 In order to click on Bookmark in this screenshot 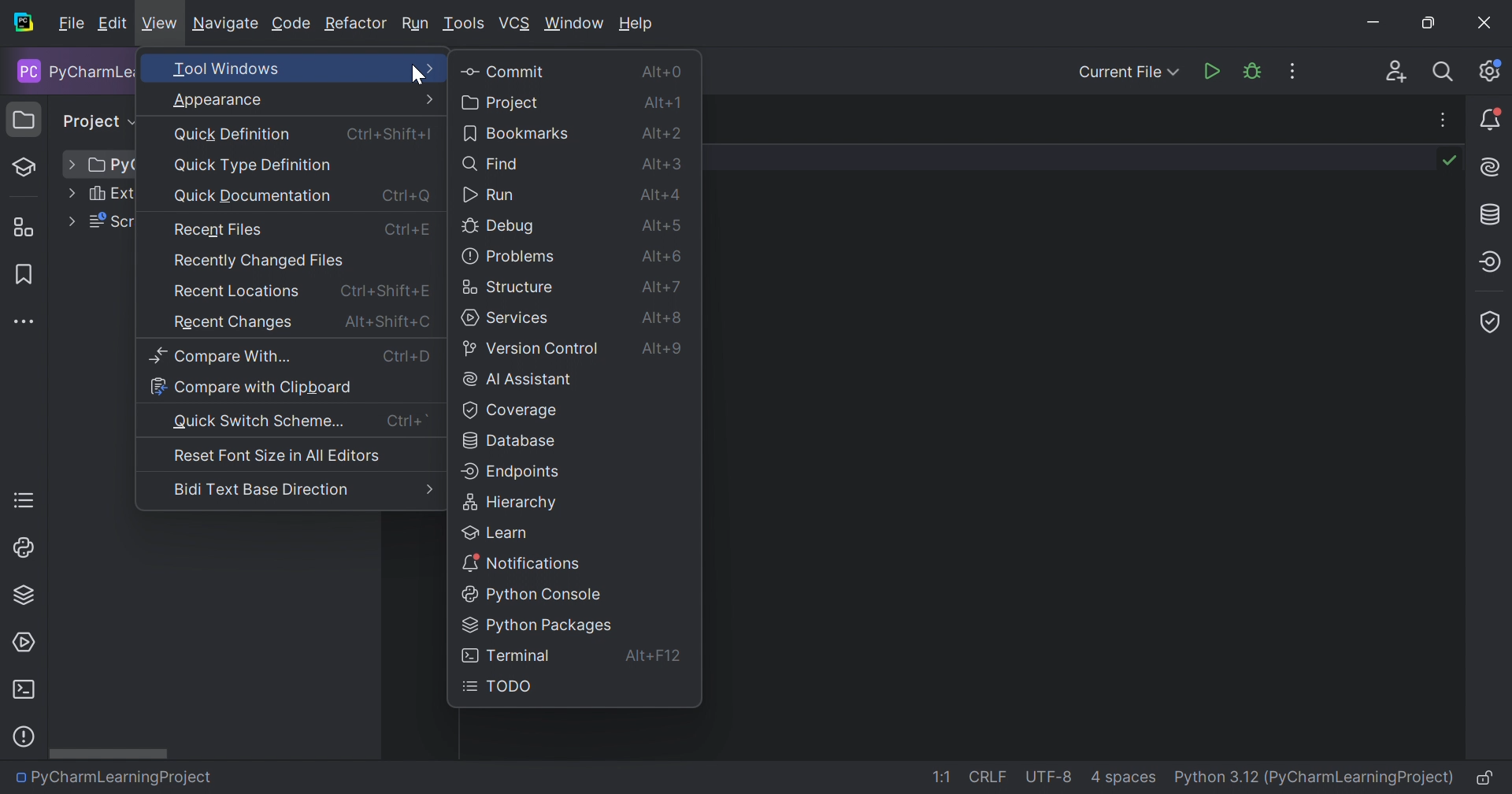, I will do `click(20, 273)`.